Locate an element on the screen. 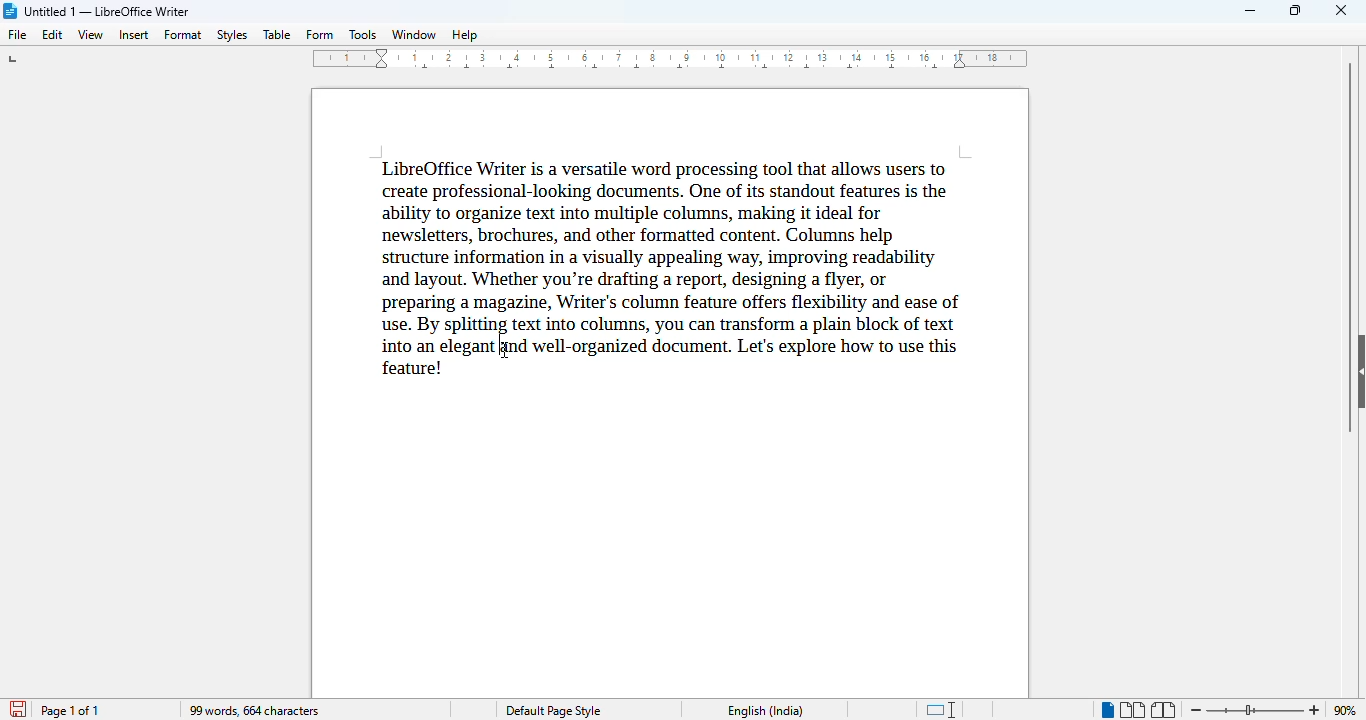 The height and width of the screenshot is (720, 1366). hotkey (Ctrl + A) is located at coordinates (497, 344).